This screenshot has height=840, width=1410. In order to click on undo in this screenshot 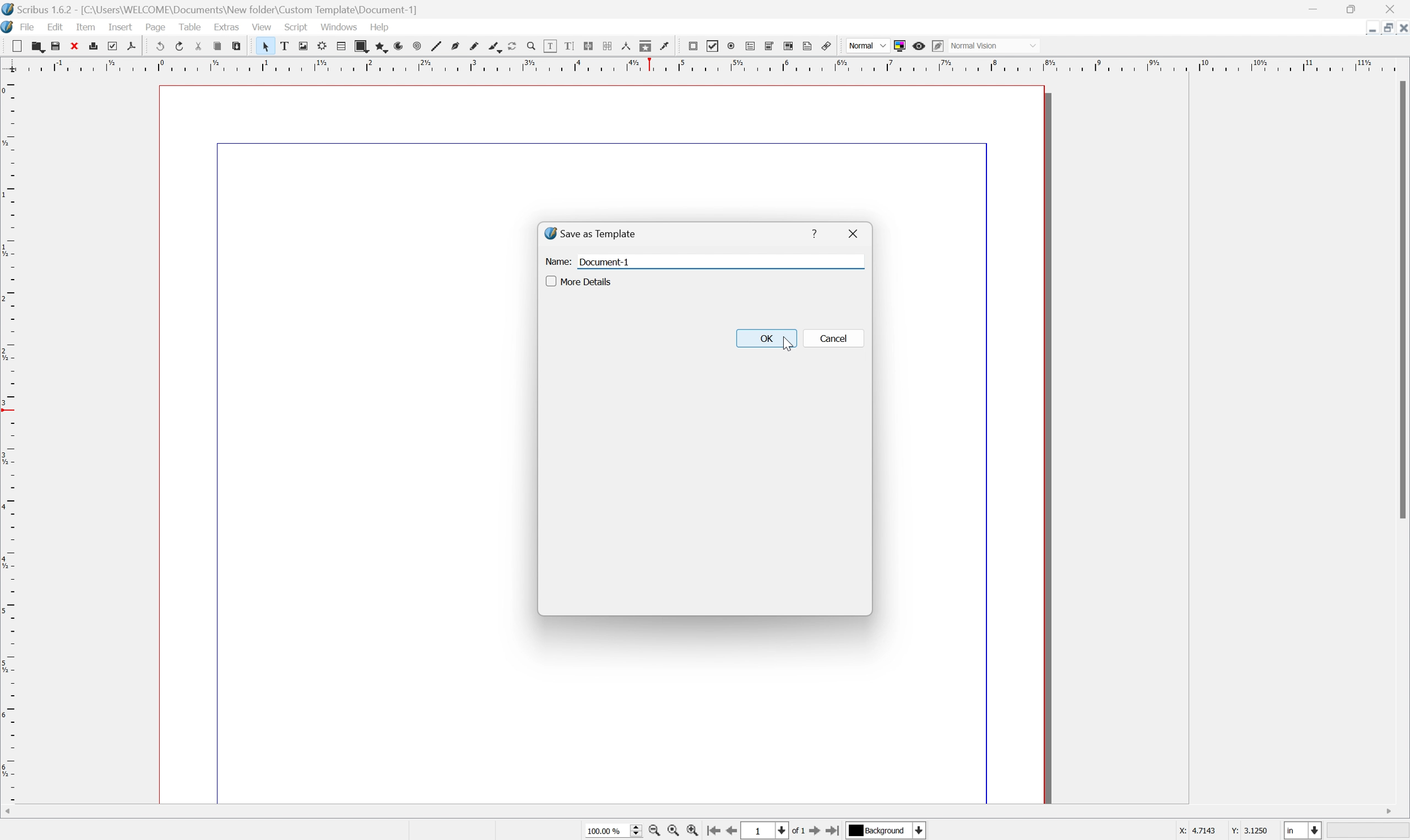, I will do `click(158, 46)`.